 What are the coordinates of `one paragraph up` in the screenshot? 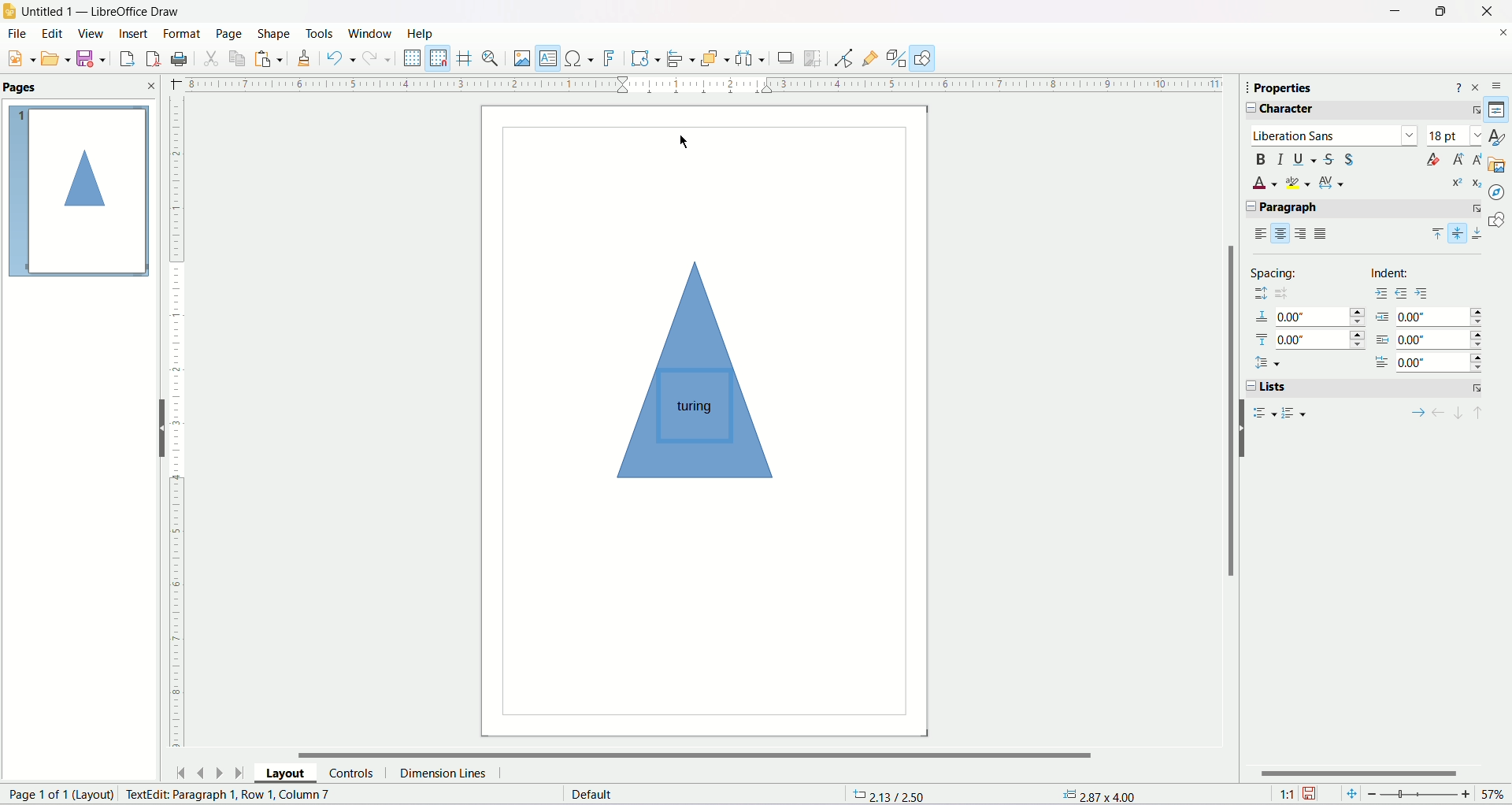 It's located at (1478, 412).